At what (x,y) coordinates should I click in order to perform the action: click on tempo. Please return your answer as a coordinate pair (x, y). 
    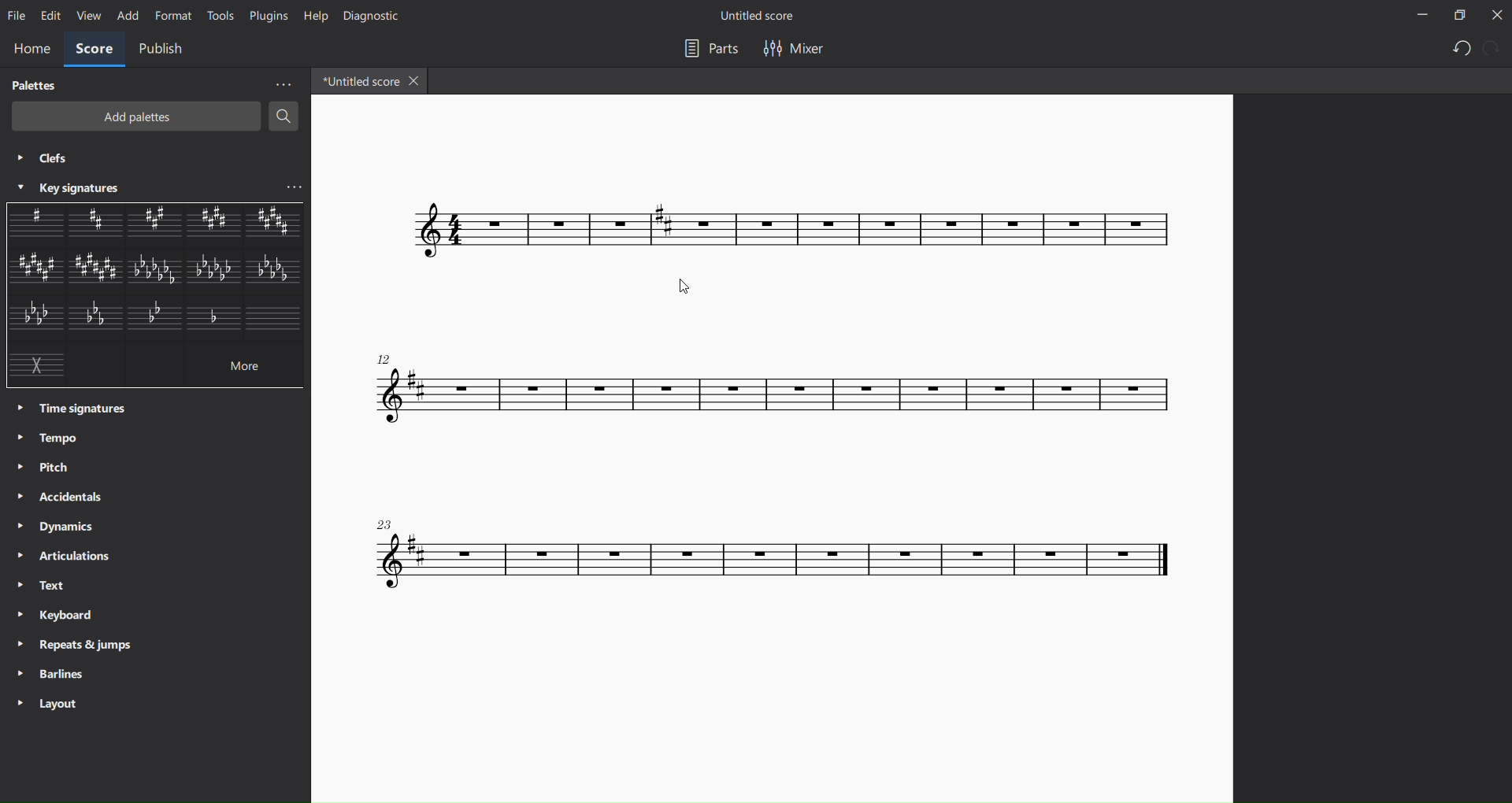
    Looking at the image, I should click on (49, 439).